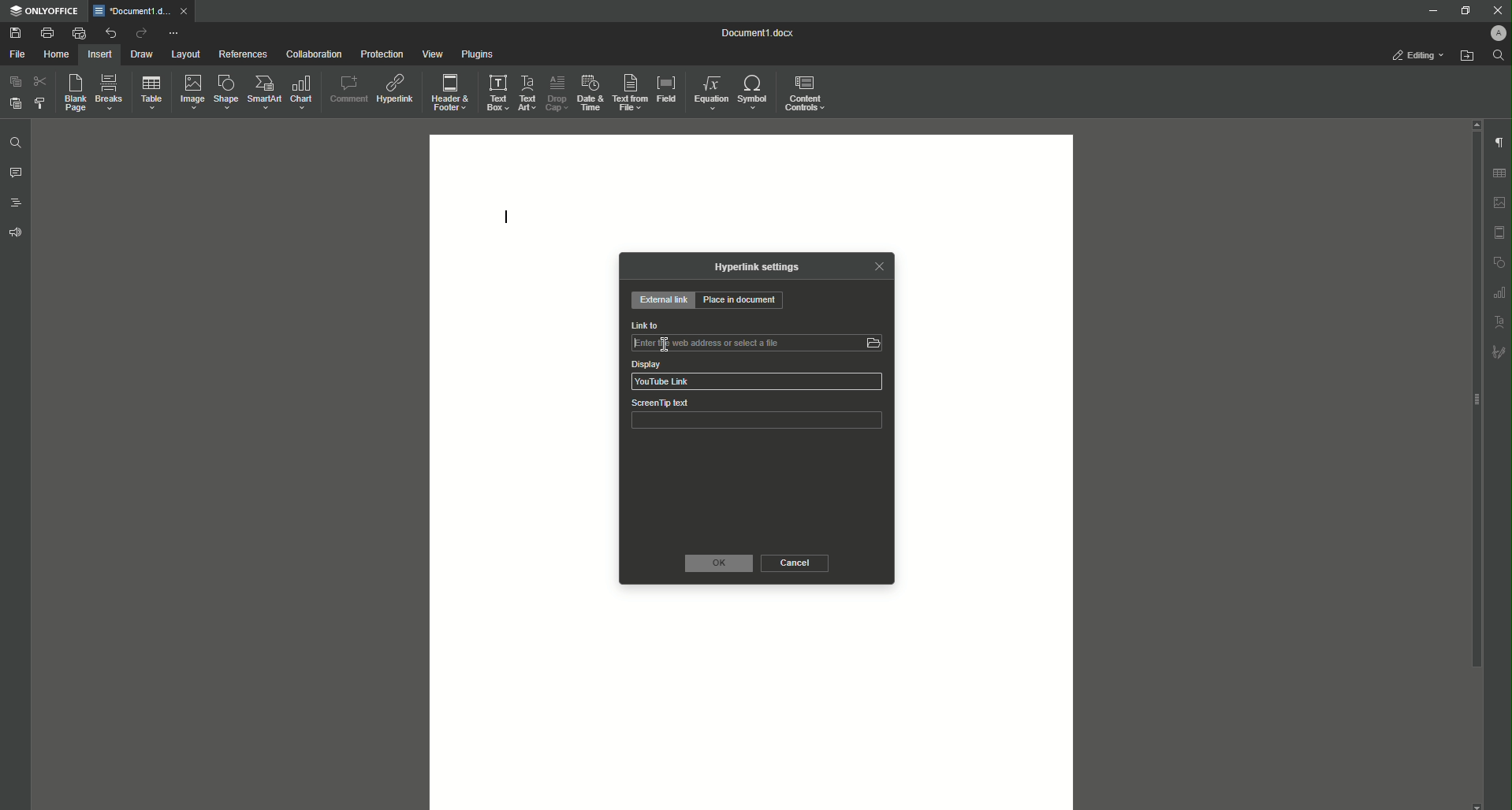 The image size is (1512, 810). I want to click on Drop Cap, so click(557, 92).